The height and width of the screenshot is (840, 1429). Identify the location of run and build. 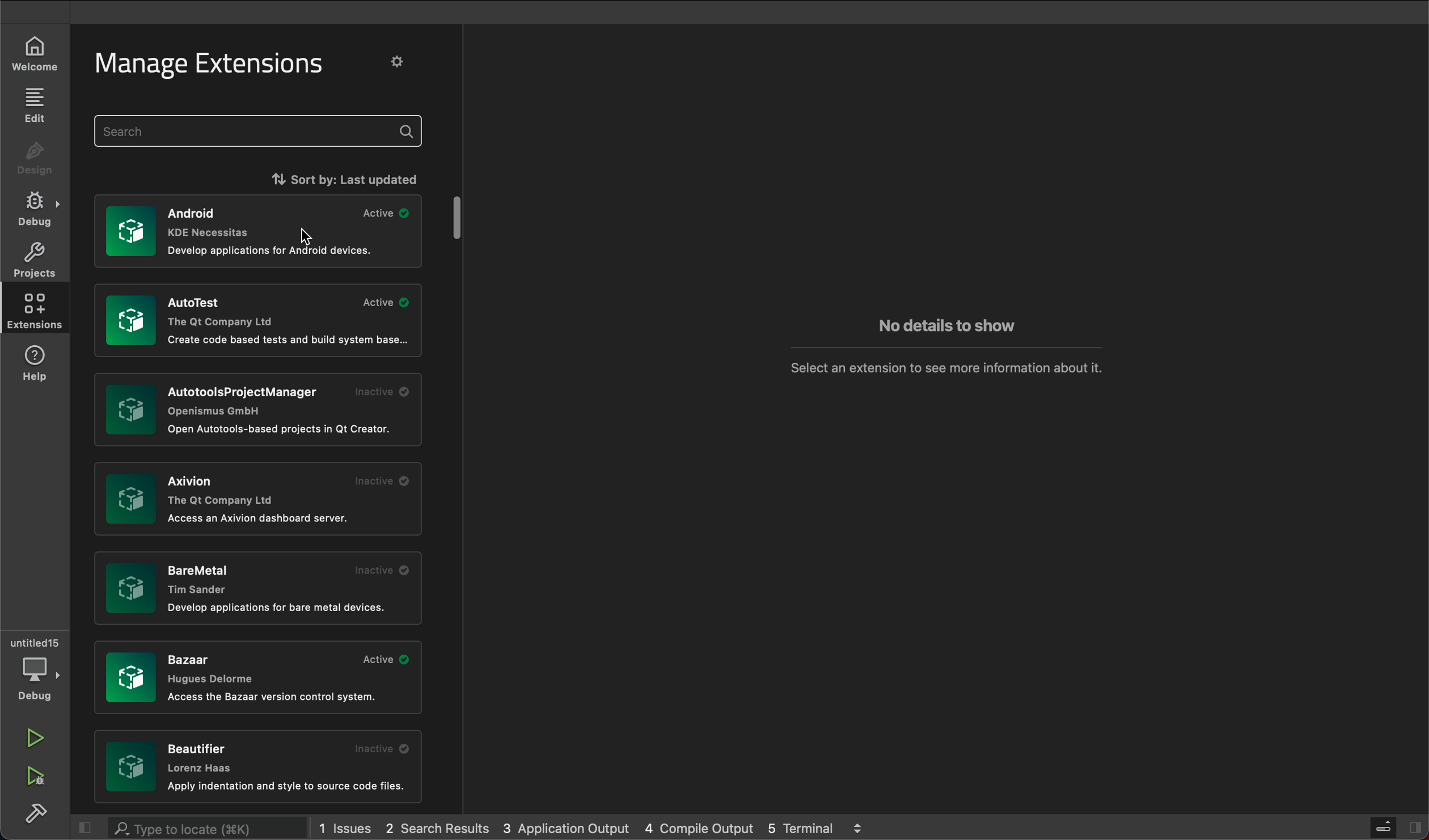
(36, 778).